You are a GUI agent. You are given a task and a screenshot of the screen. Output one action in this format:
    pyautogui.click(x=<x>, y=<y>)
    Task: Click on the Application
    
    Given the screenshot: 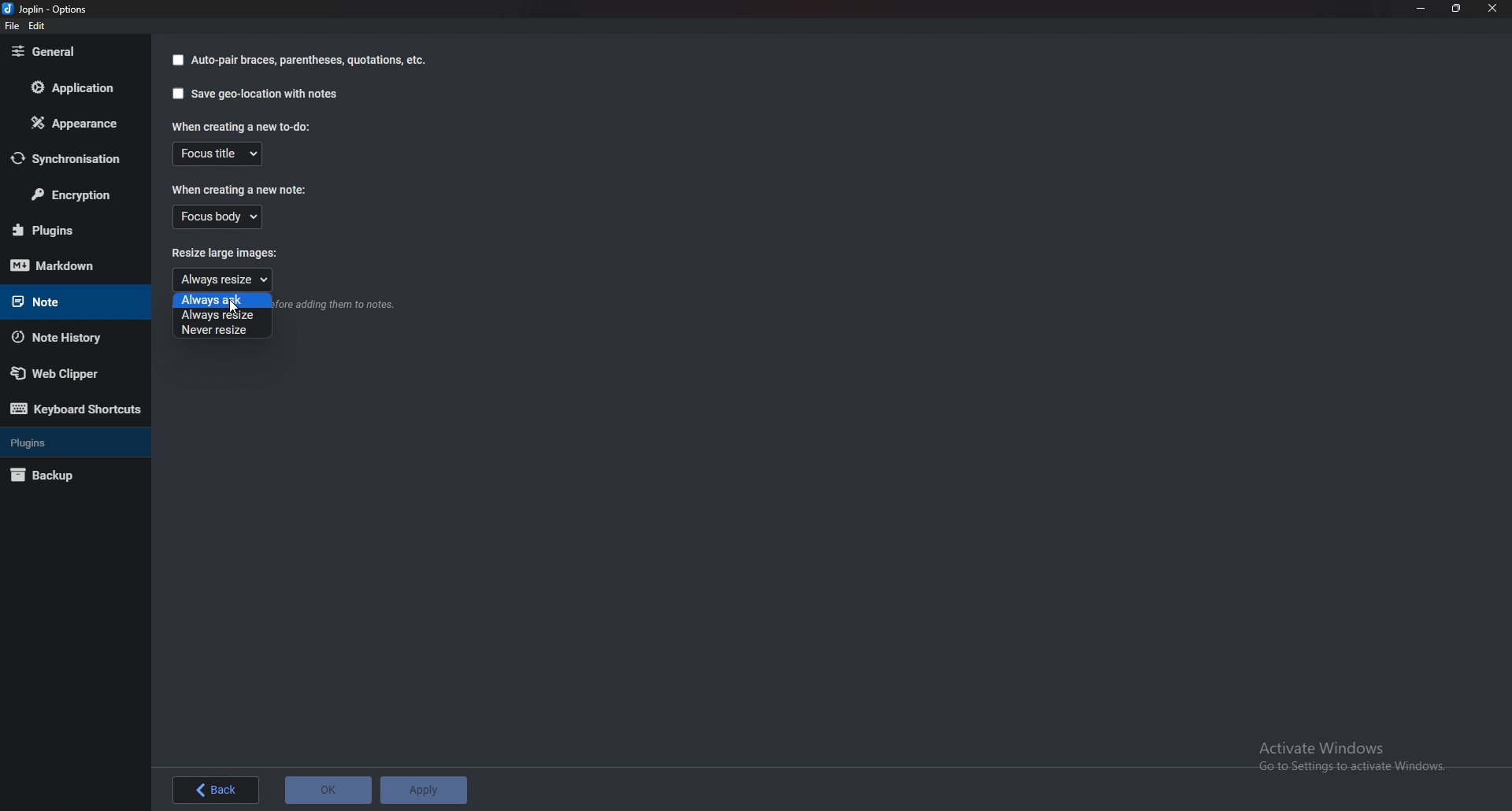 What is the action you would take?
    pyautogui.click(x=69, y=91)
    